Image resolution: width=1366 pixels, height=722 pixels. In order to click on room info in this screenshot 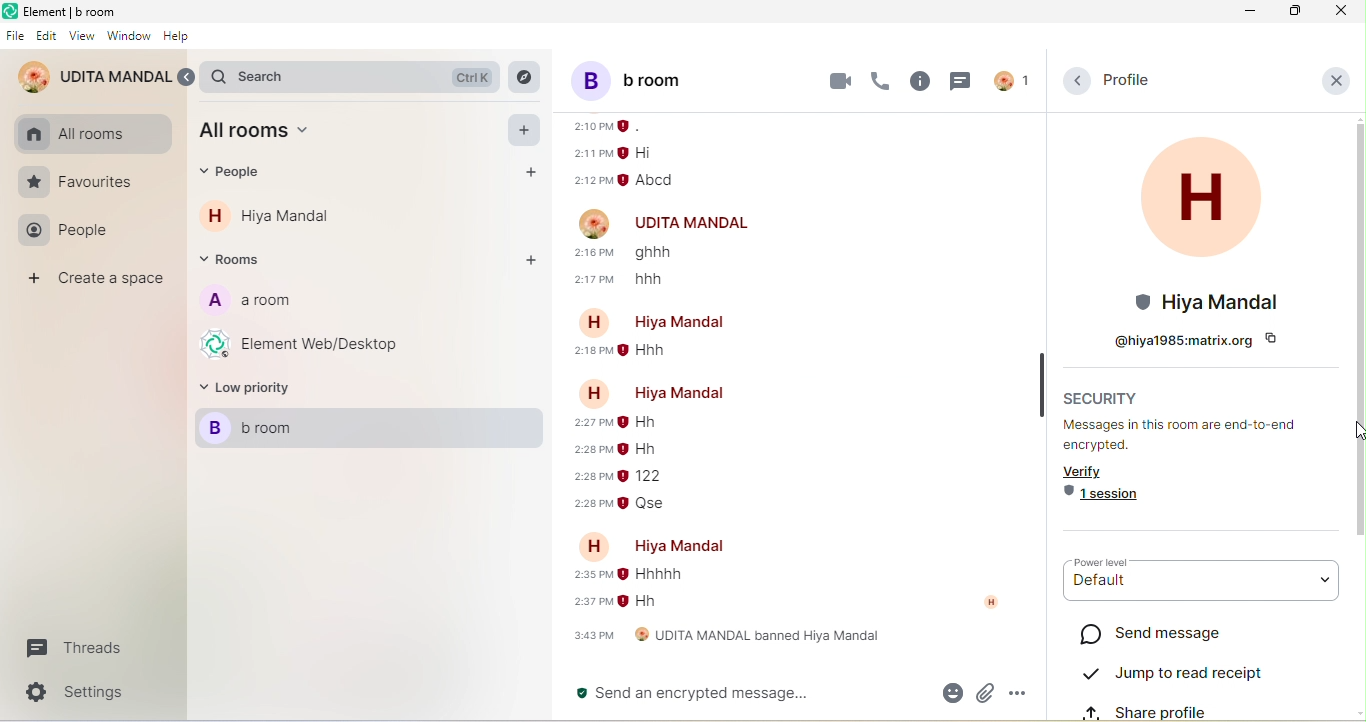, I will do `click(921, 82)`.